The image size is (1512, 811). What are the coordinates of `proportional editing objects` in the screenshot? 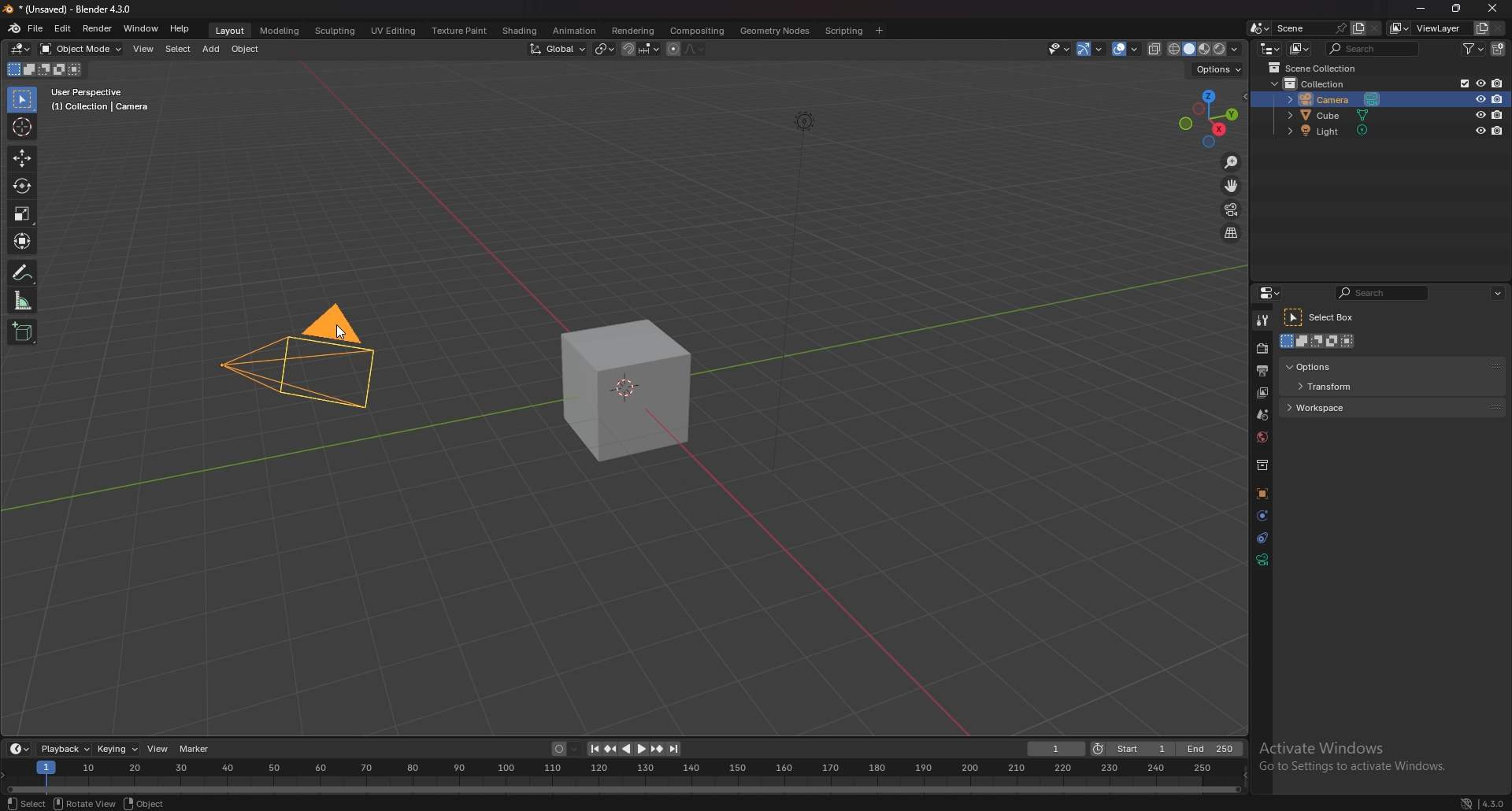 It's located at (670, 49).